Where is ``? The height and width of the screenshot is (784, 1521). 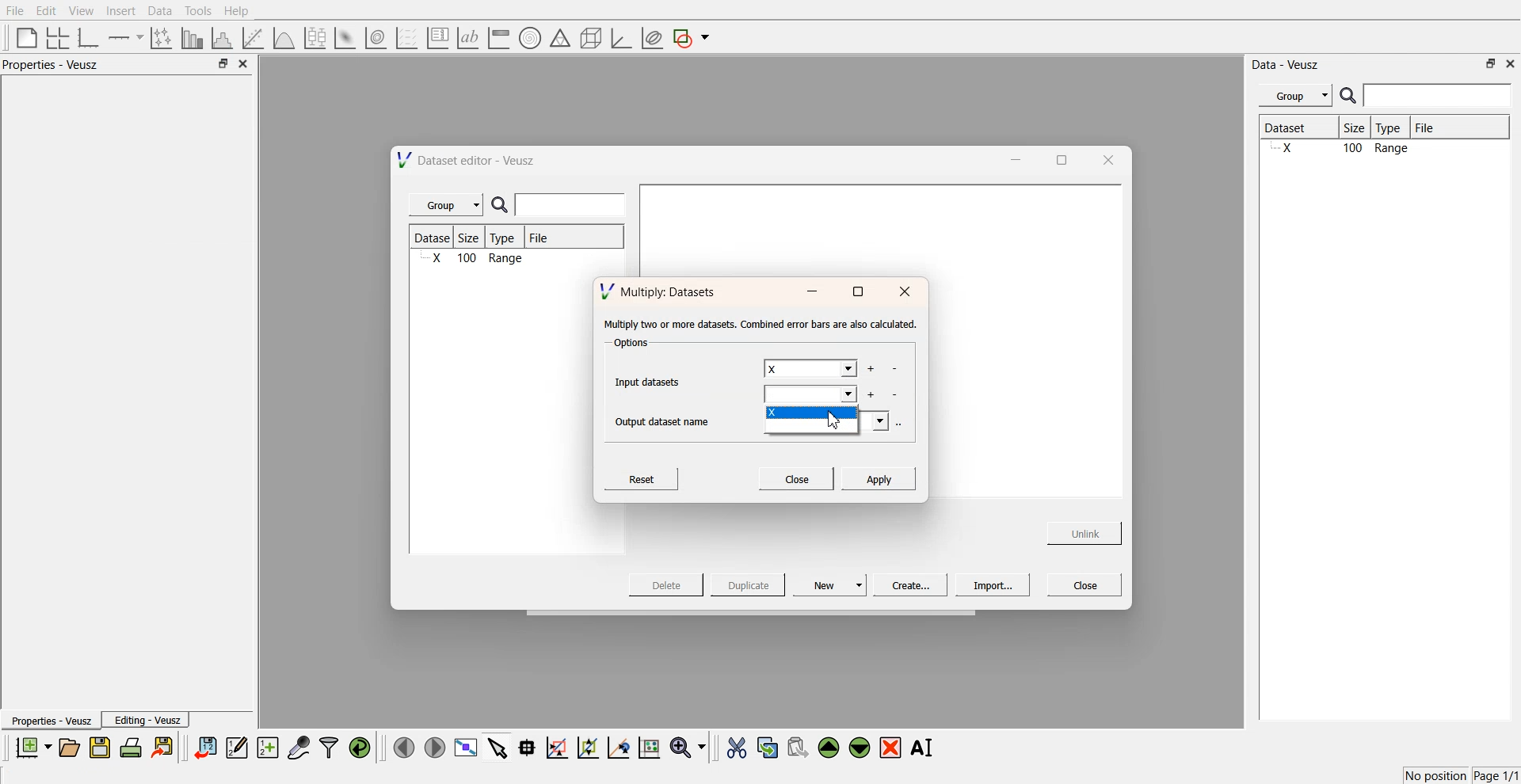
 is located at coordinates (1295, 96).